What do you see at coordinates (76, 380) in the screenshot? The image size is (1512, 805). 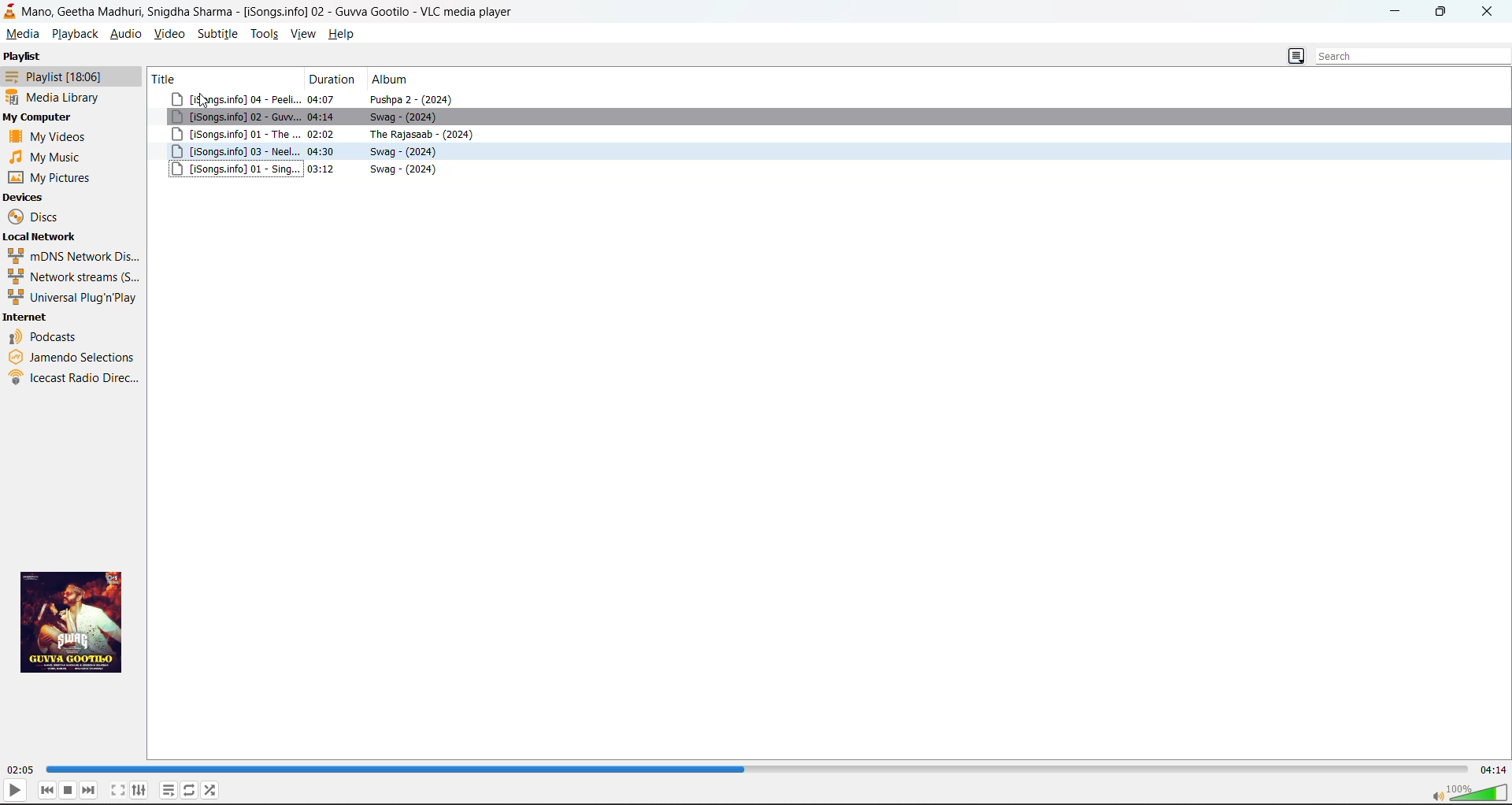 I see `icecast` at bounding box center [76, 380].